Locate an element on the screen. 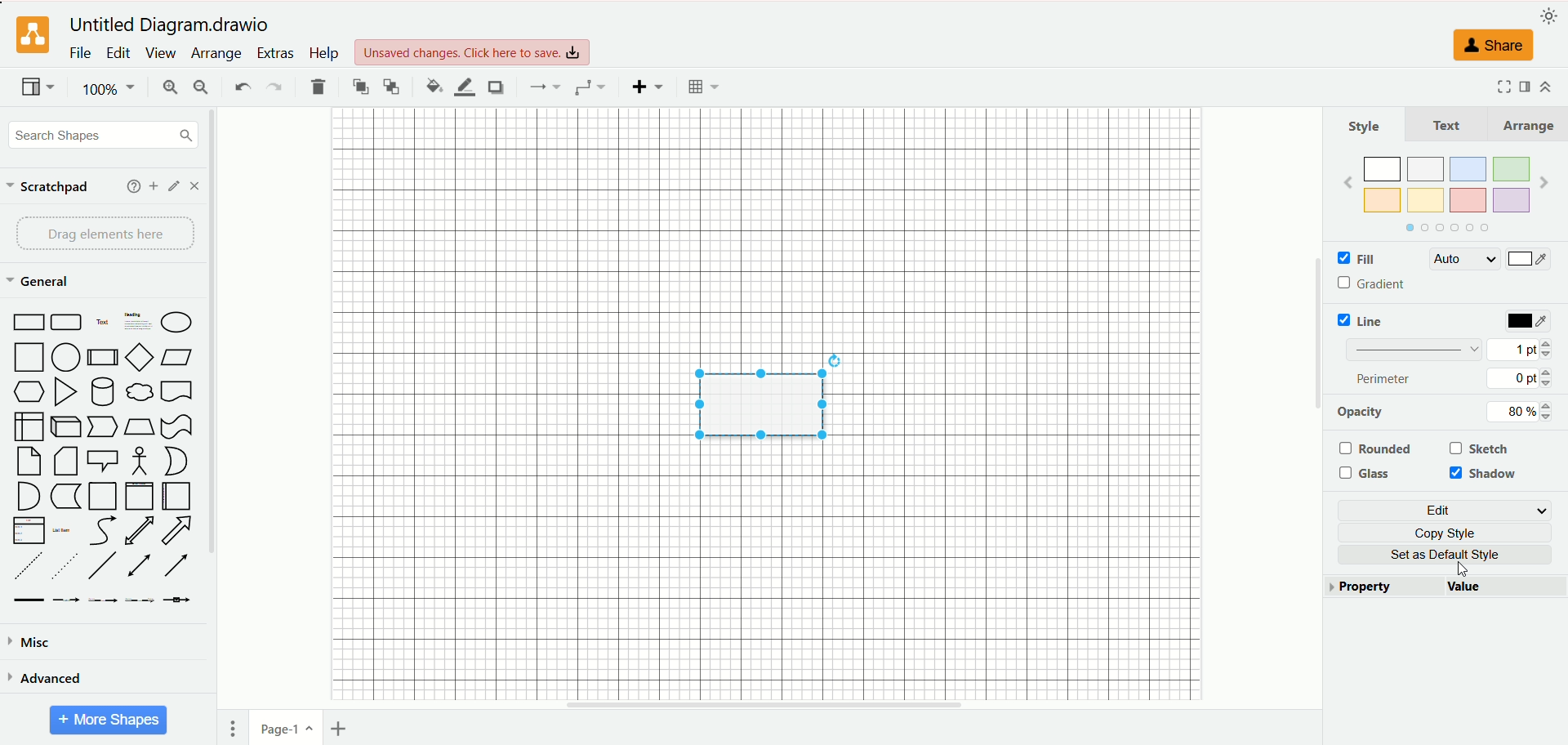 Image resolution: width=1568 pixels, height=745 pixels. connection is located at coordinates (542, 87).